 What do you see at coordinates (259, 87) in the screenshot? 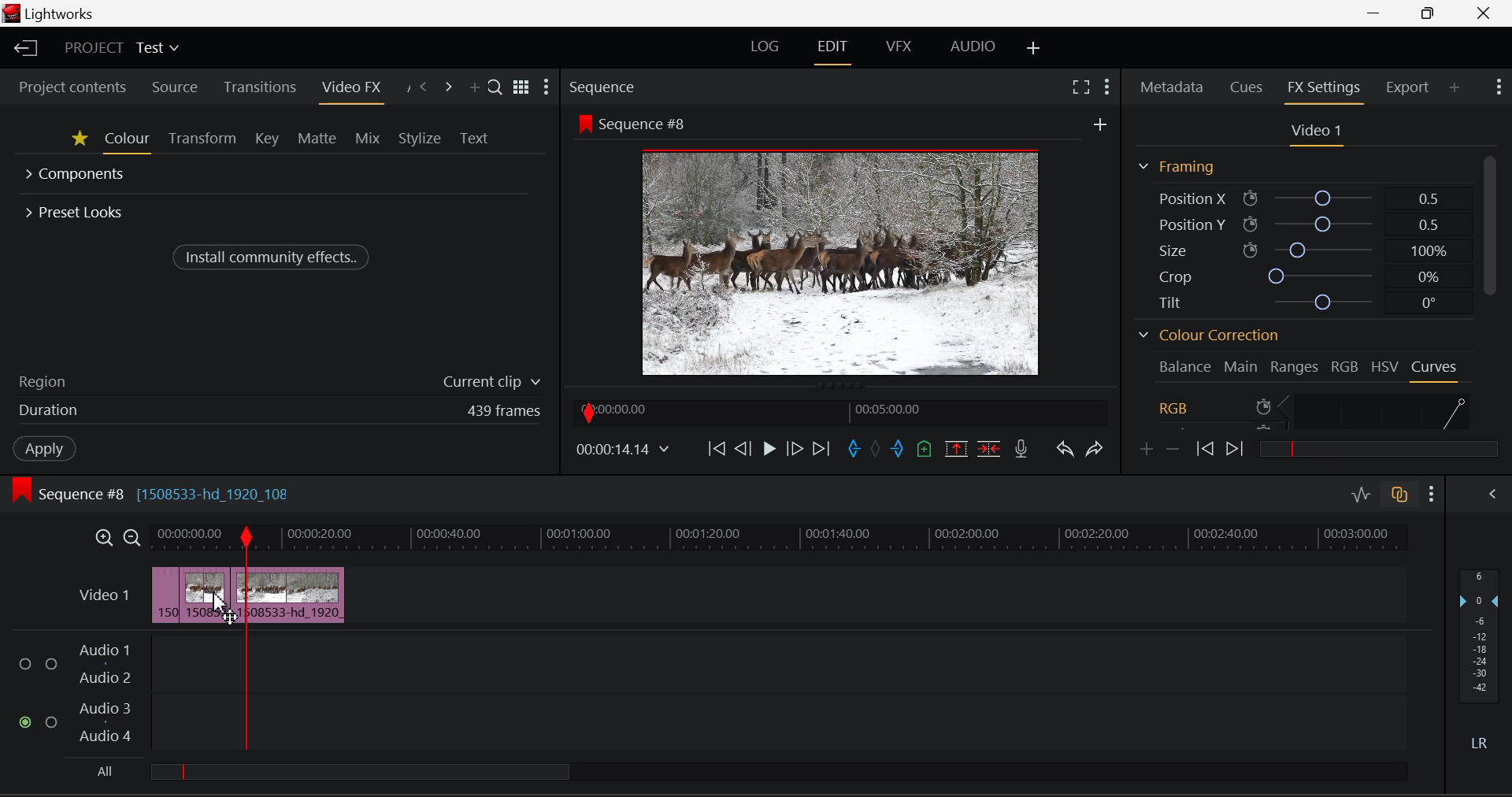
I see `Transitions` at bounding box center [259, 87].